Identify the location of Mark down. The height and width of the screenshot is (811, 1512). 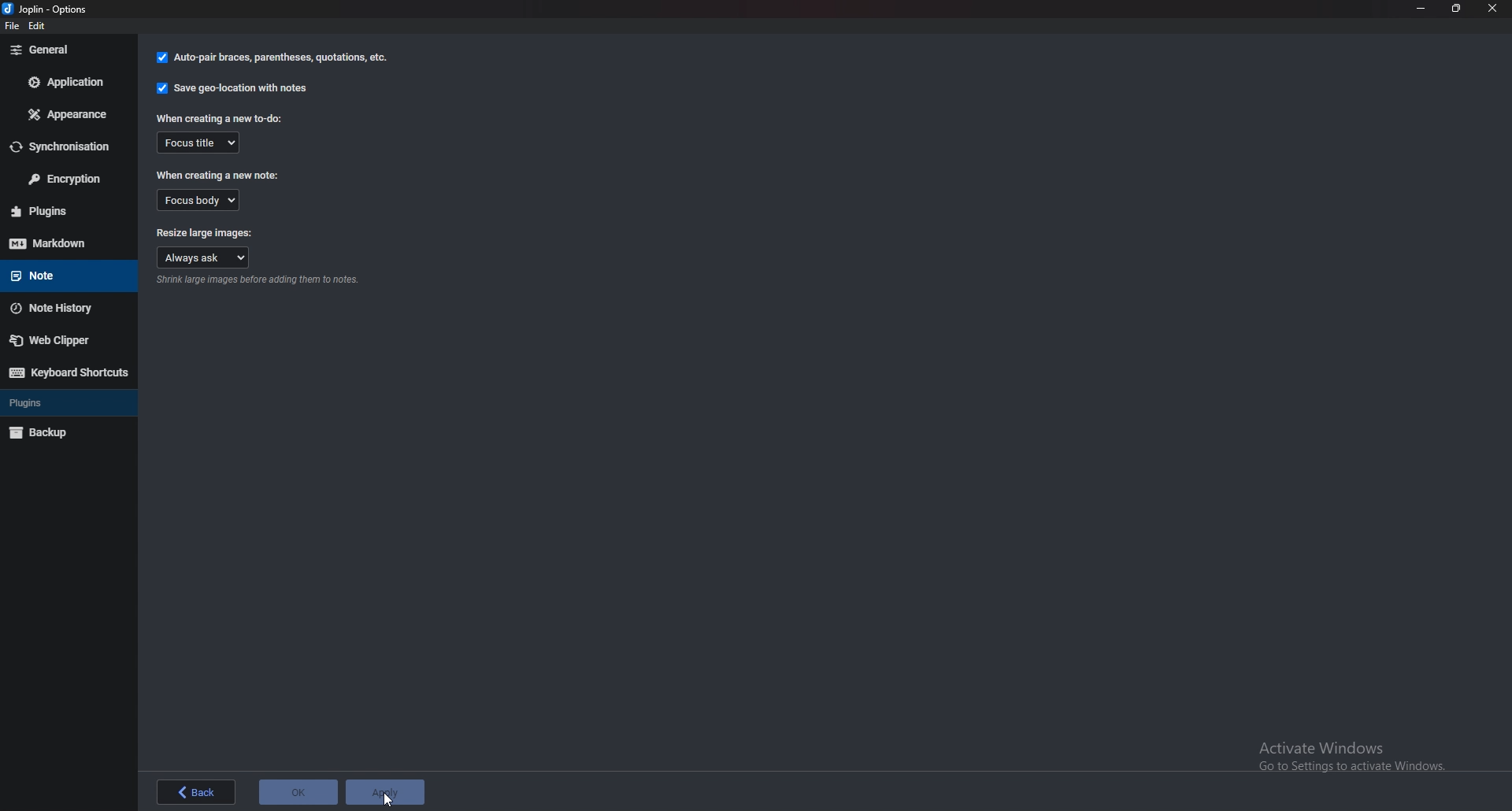
(61, 243).